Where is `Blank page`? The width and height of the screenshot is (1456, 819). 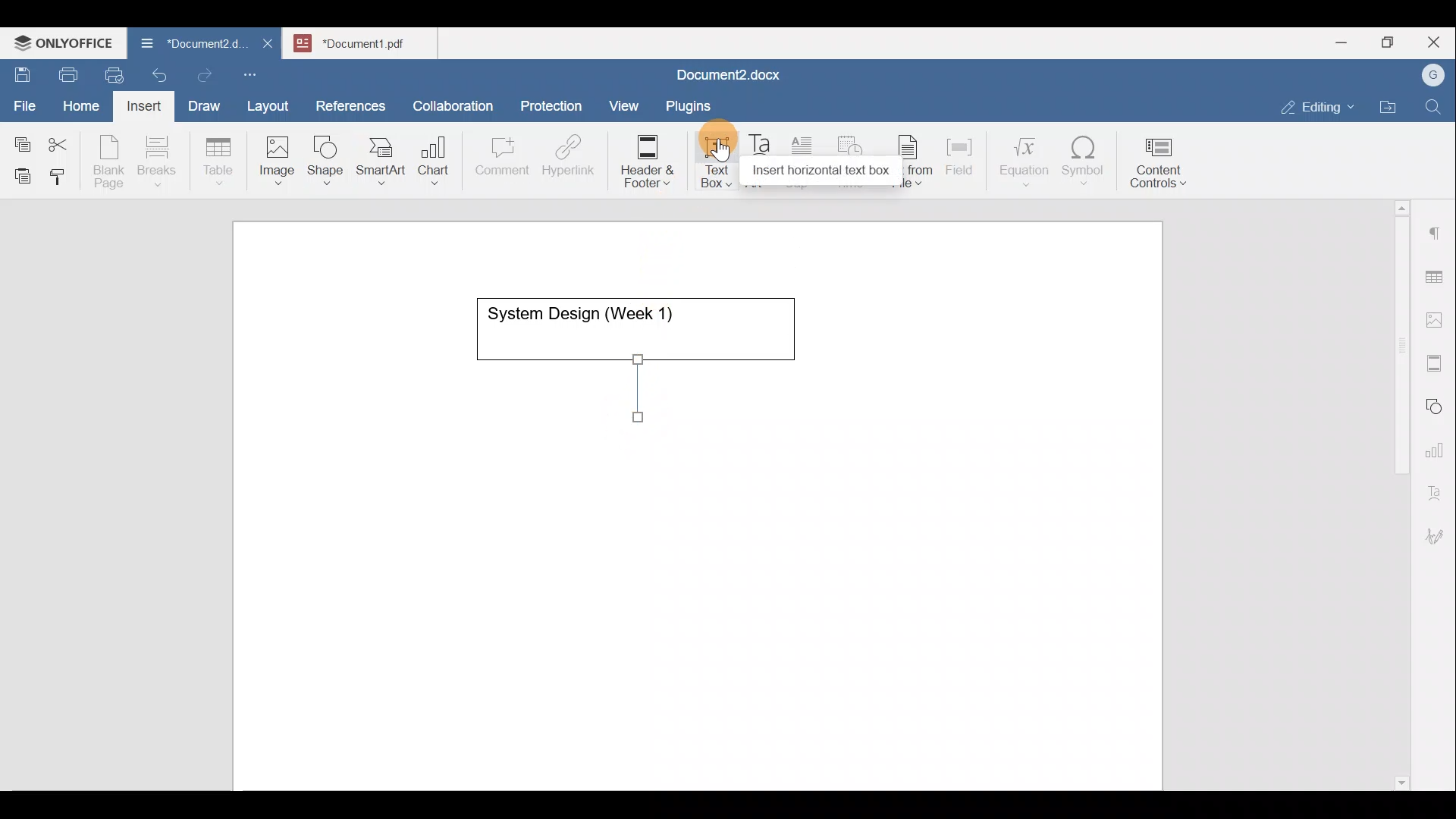 Blank page is located at coordinates (111, 162).